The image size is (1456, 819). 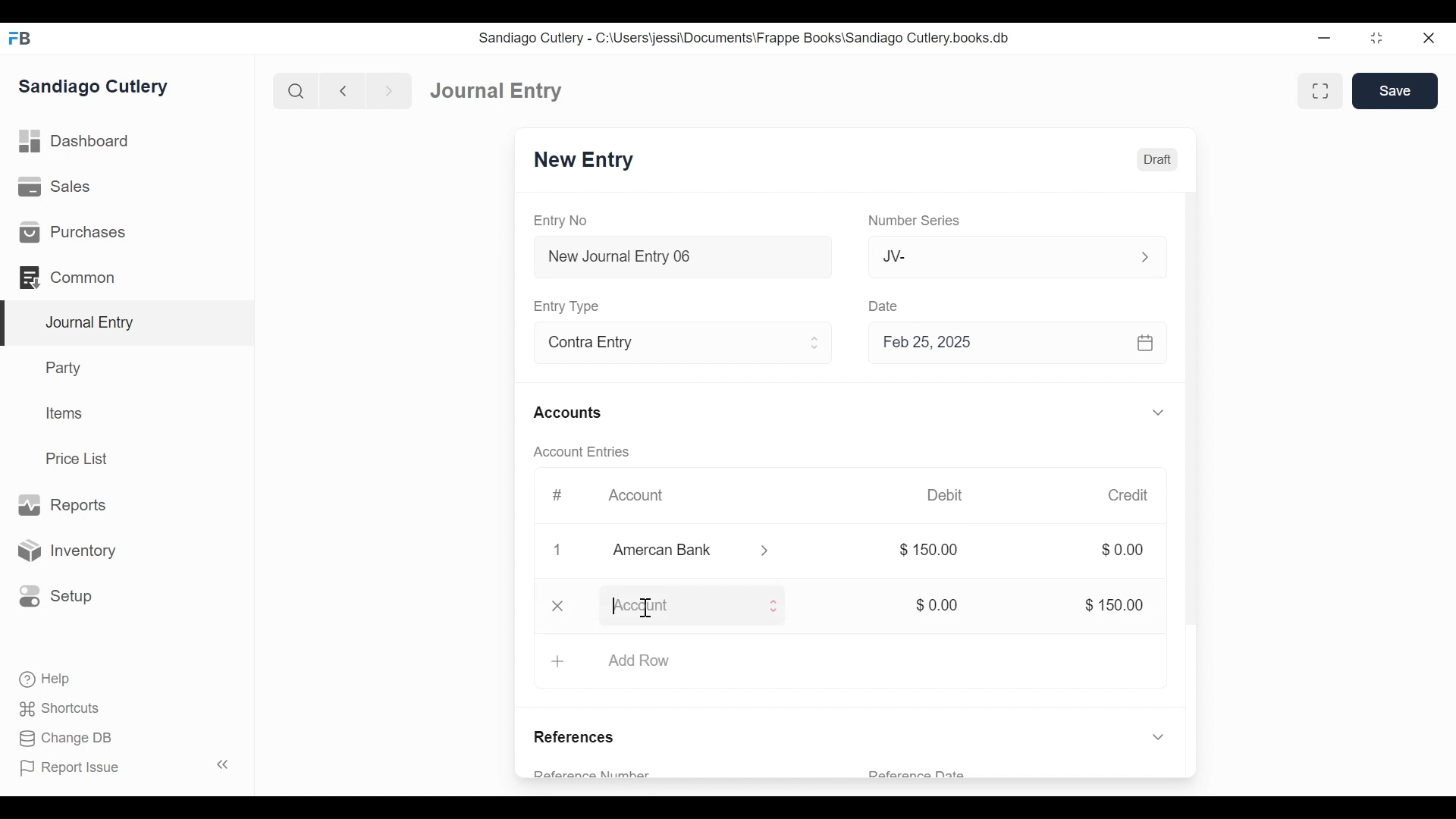 What do you see at coordinates (558, 604) in the screenshot?
I see `close` at bounding box center [558, 604].